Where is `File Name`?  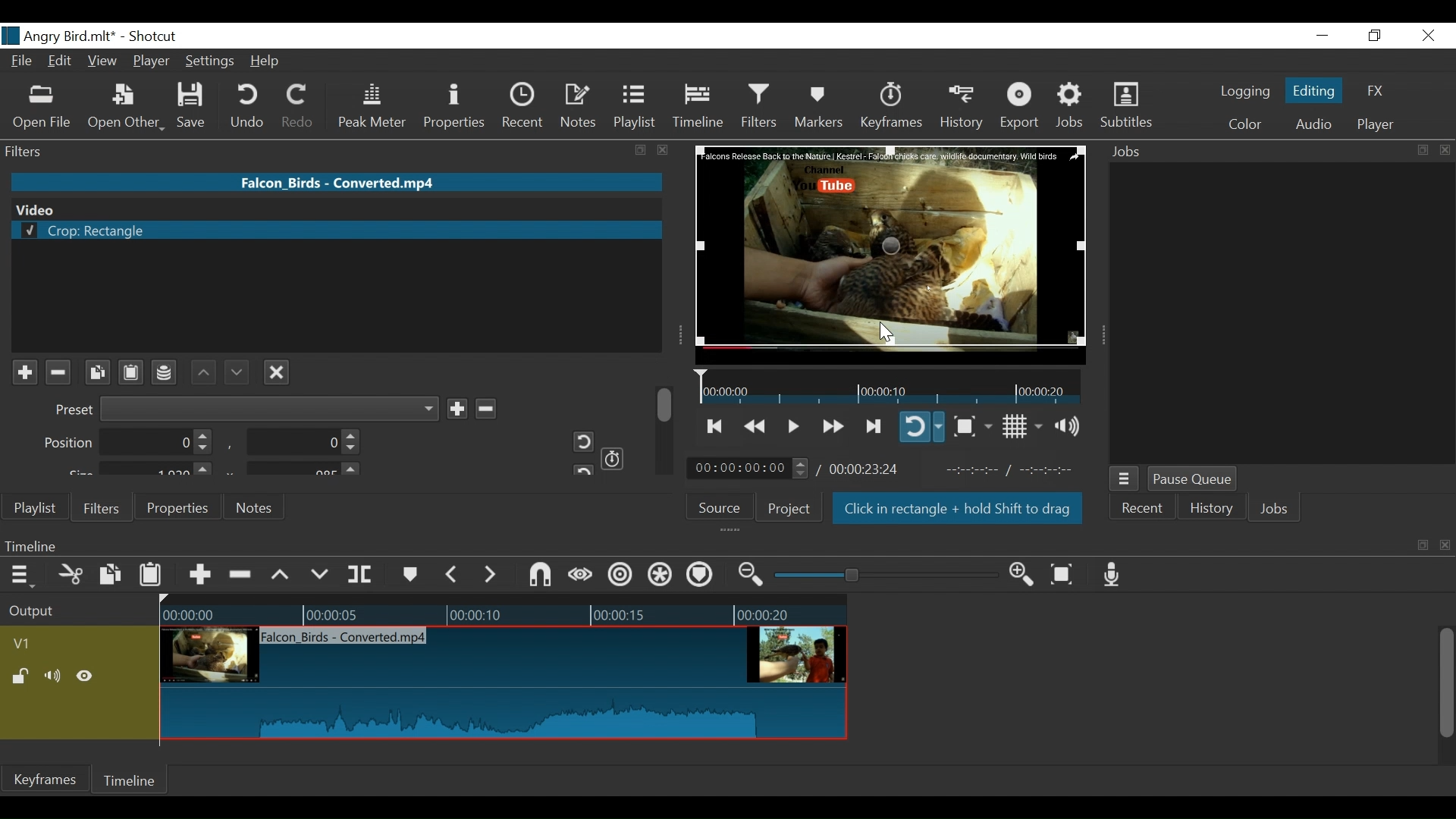 File Name is located at coordinates (339, 181).